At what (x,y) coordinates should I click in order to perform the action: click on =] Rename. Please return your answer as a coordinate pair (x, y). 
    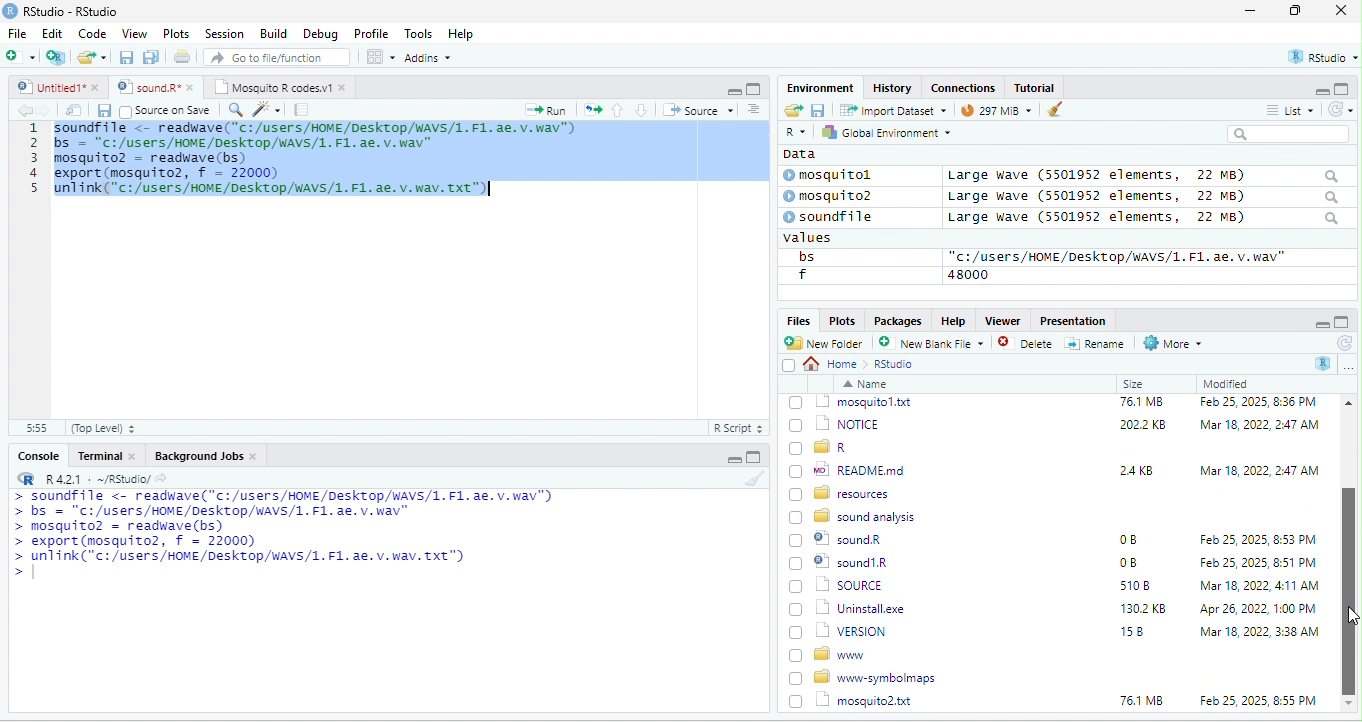
    Looking at the image, I should click on (1096, 343).